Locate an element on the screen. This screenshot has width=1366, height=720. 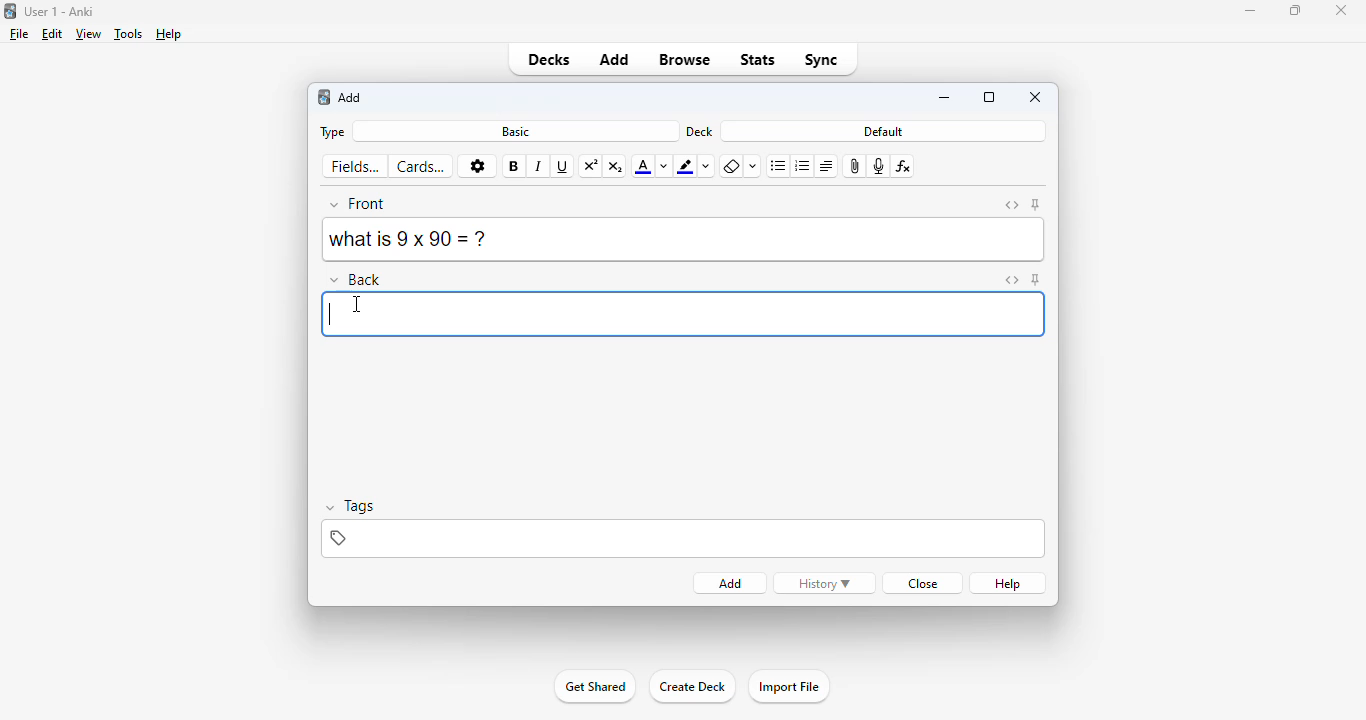
what is 9 x 90 = ? is located at coordinates (680, 239).